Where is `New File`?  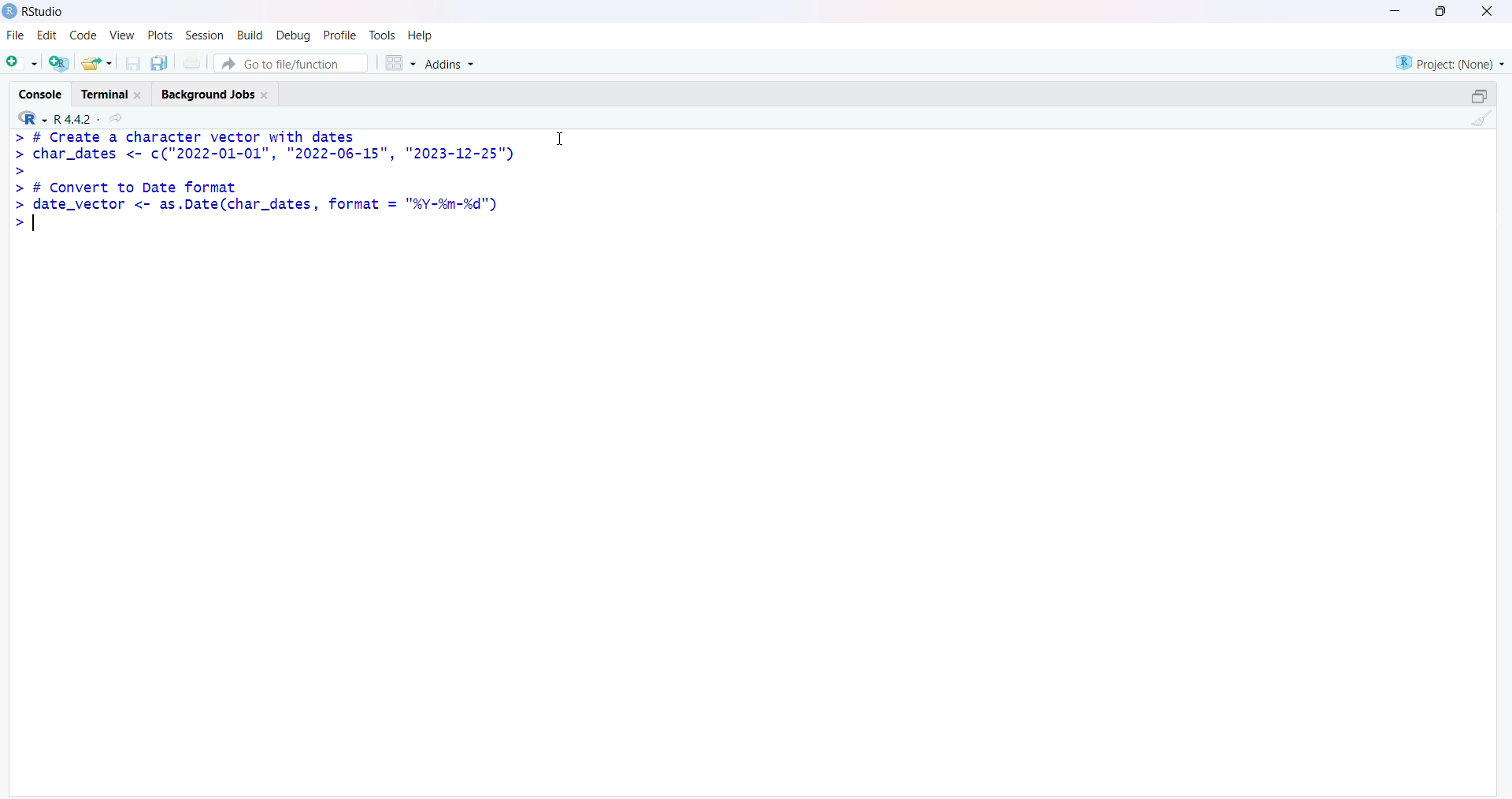 New File is located at coordinates (22, 61).